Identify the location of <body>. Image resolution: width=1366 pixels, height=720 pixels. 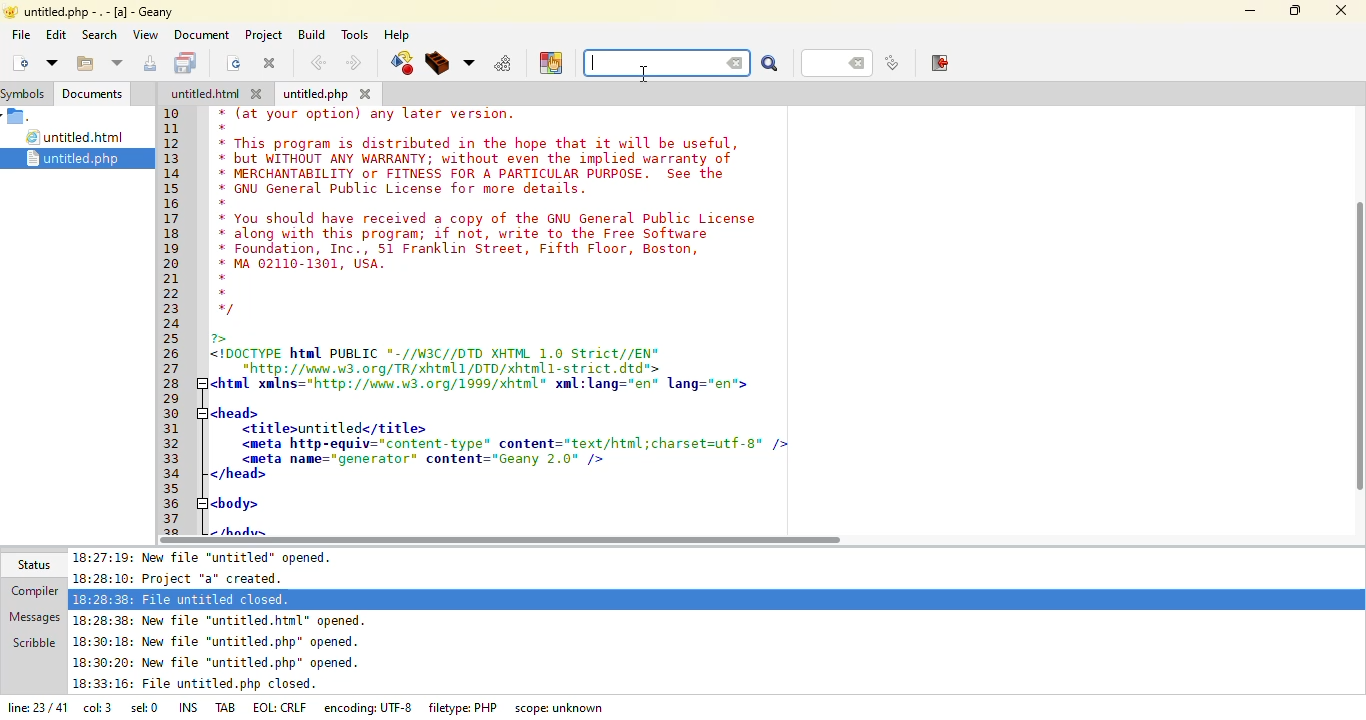
(236, 502).